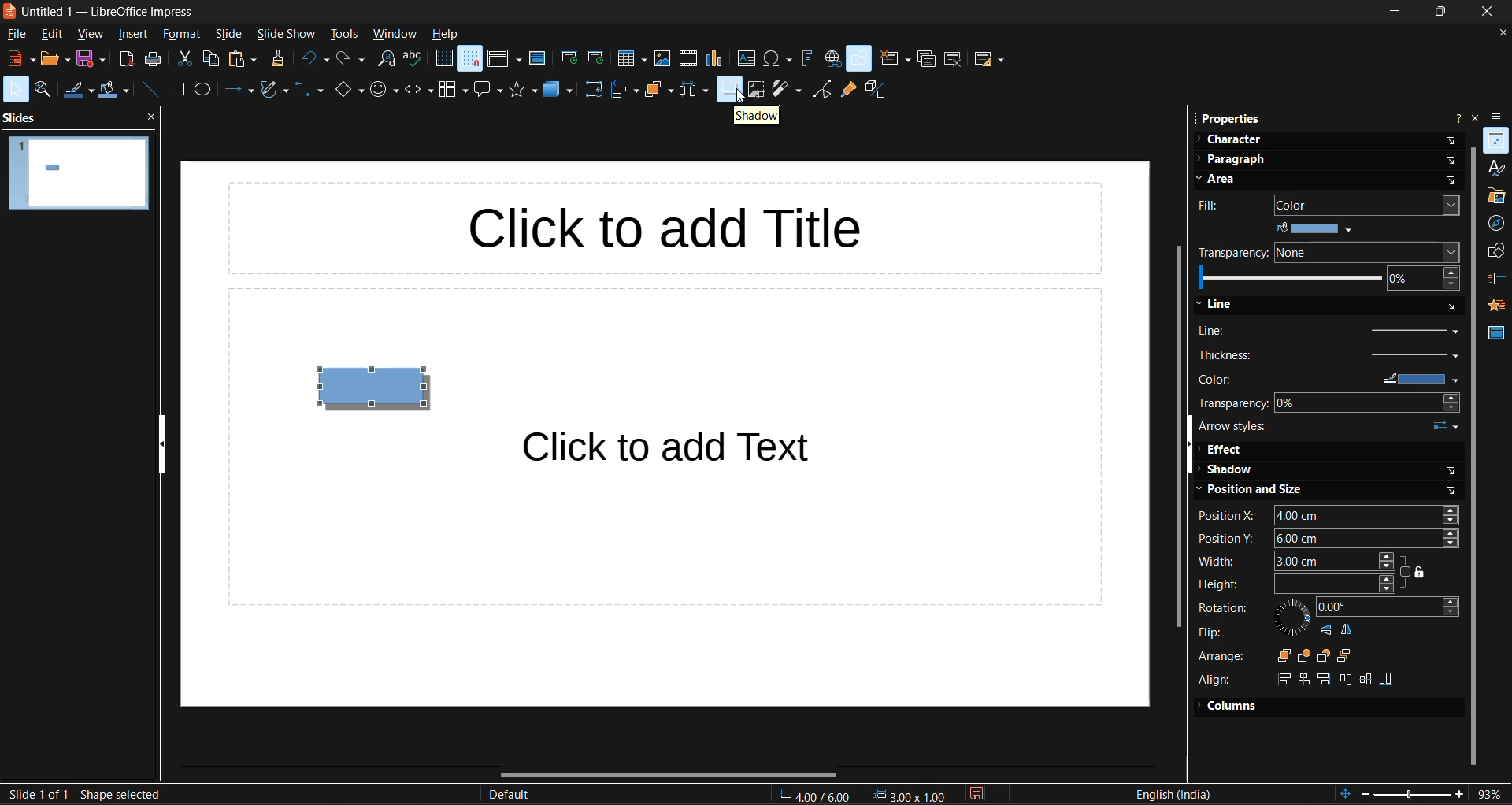 This screenshot has height=805, width=1512. I want to click on line style, so click(1329, 331).